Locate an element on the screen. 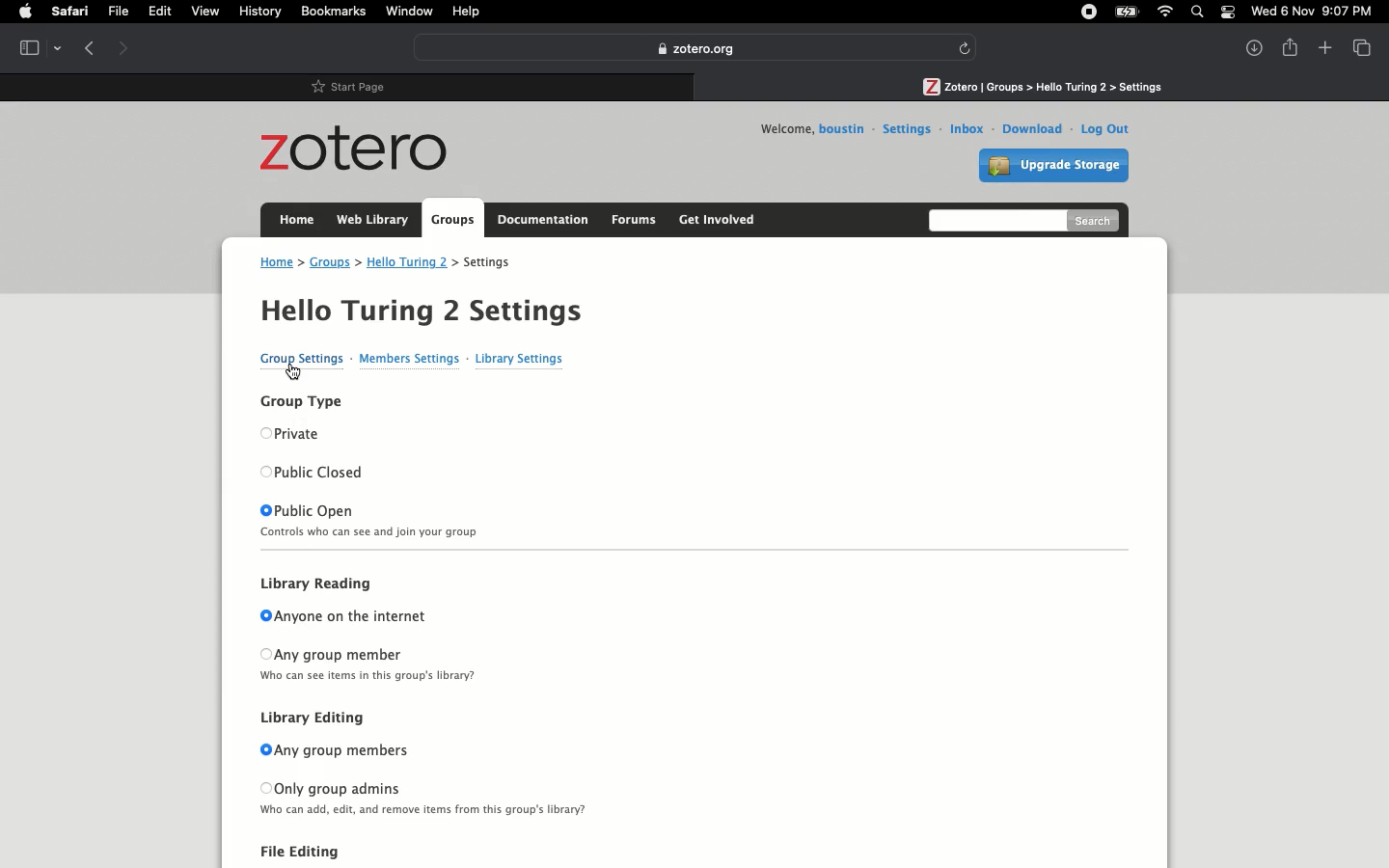  Group settings is located at coordinates (299, 360).